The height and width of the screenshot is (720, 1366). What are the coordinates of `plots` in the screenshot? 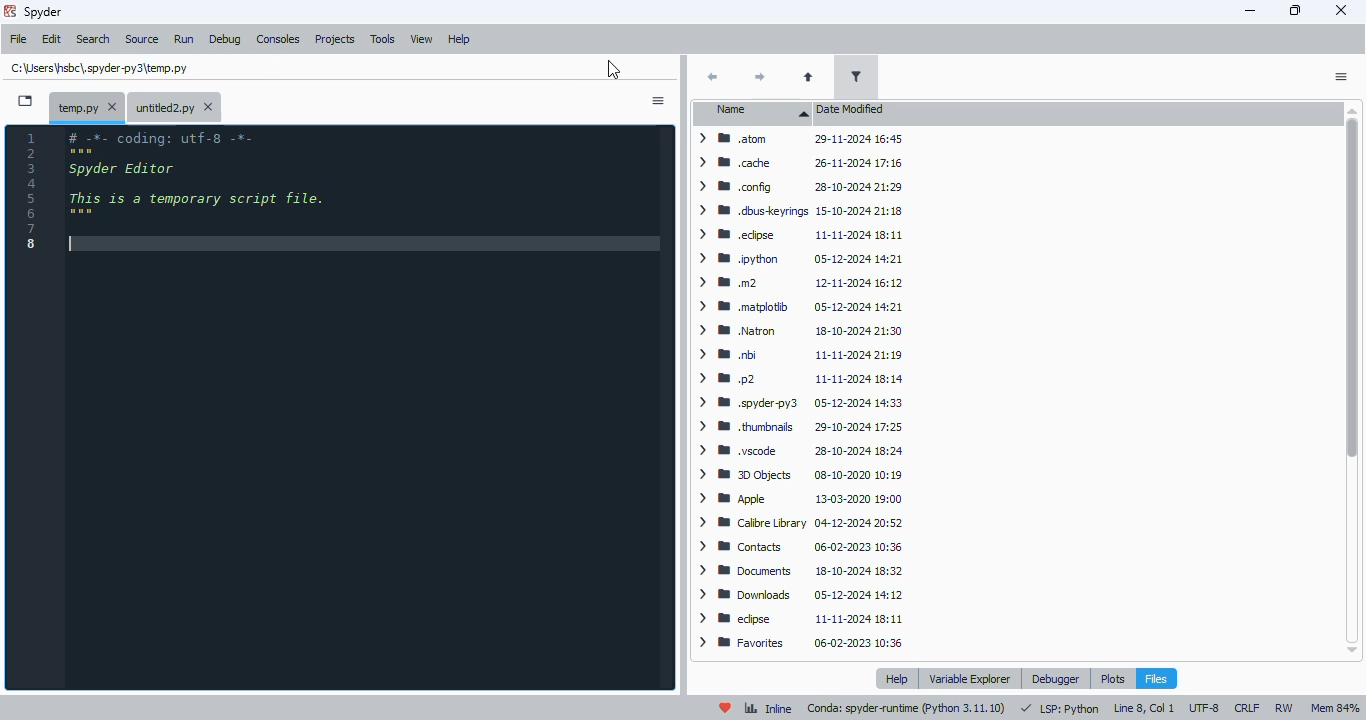 It's located at (1112, 678).